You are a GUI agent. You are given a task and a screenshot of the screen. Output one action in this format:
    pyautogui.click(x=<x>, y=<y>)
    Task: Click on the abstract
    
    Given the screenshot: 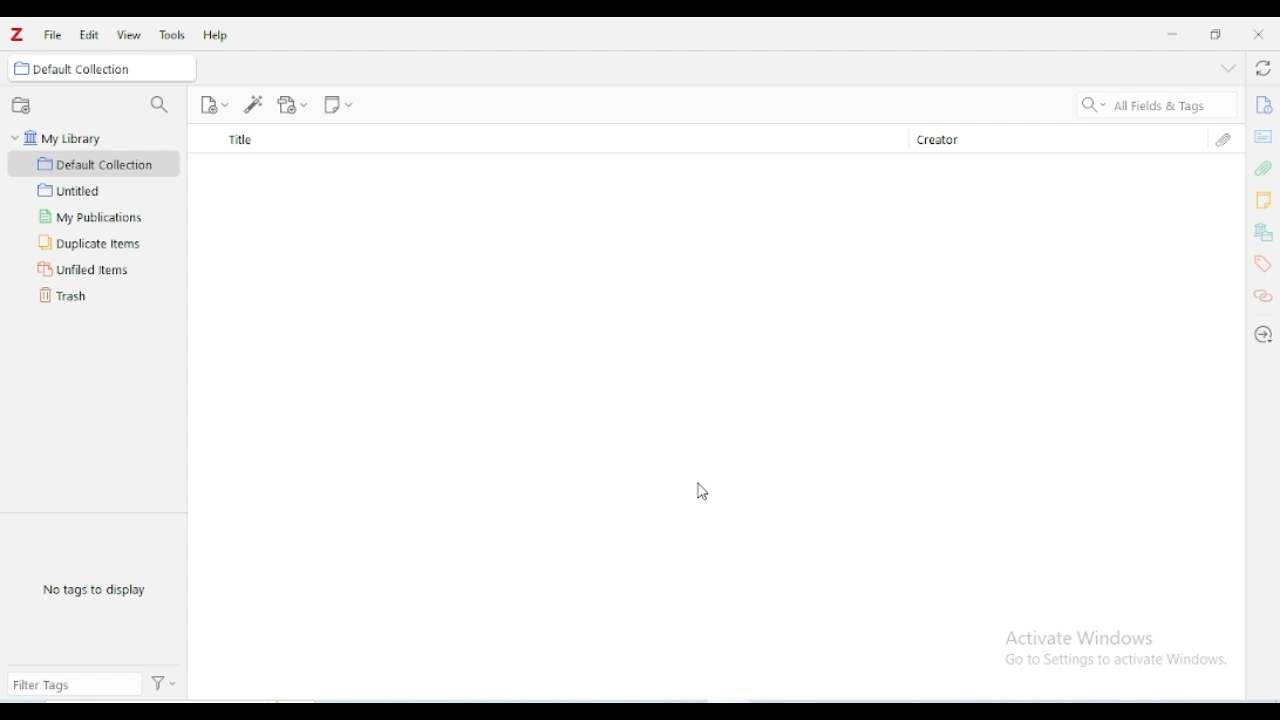 What is the action you would take?
    pyautogui.click(x=1263, y=135)
    